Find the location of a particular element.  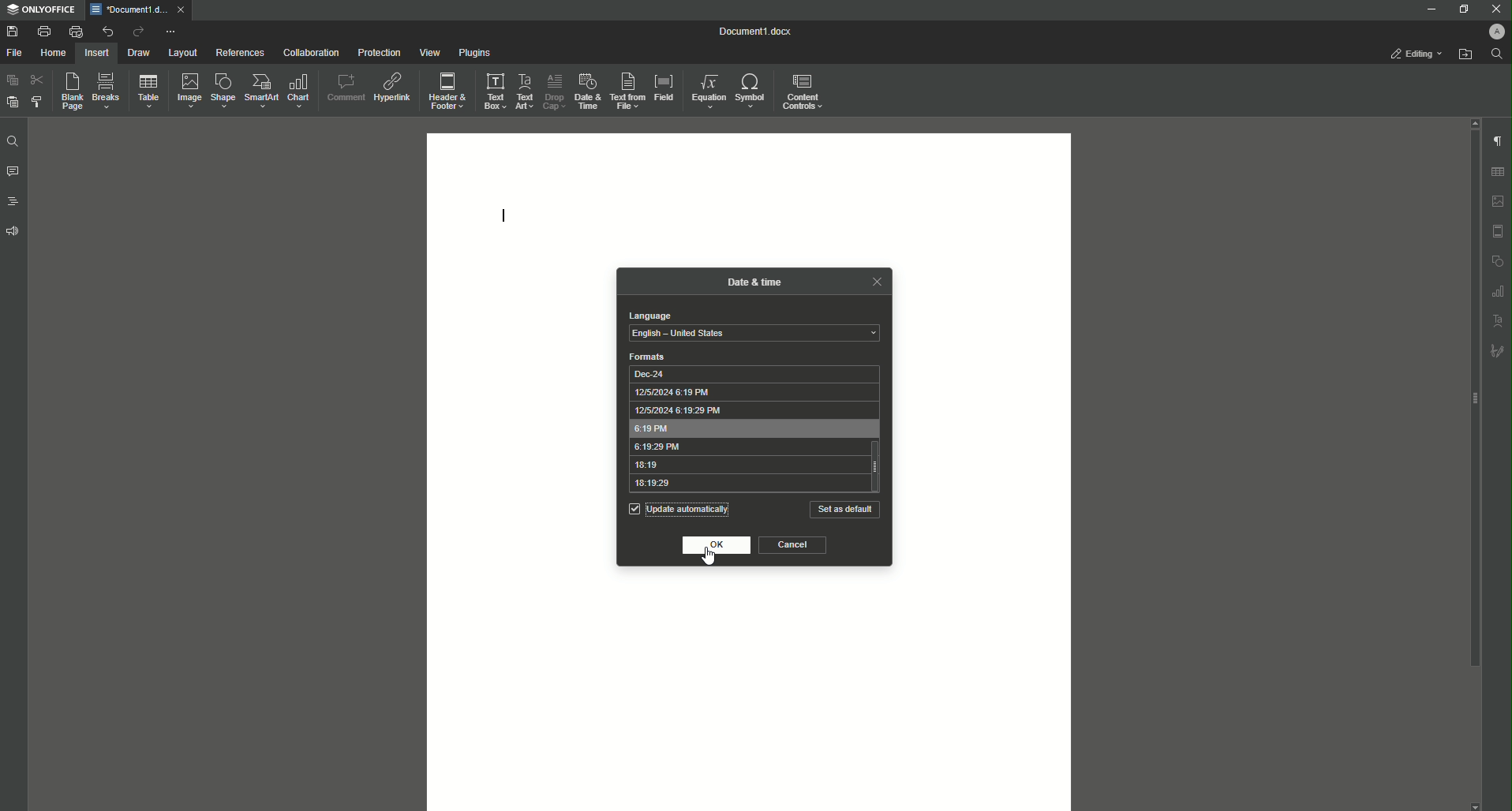

Home is located at coordinates (54, 53).